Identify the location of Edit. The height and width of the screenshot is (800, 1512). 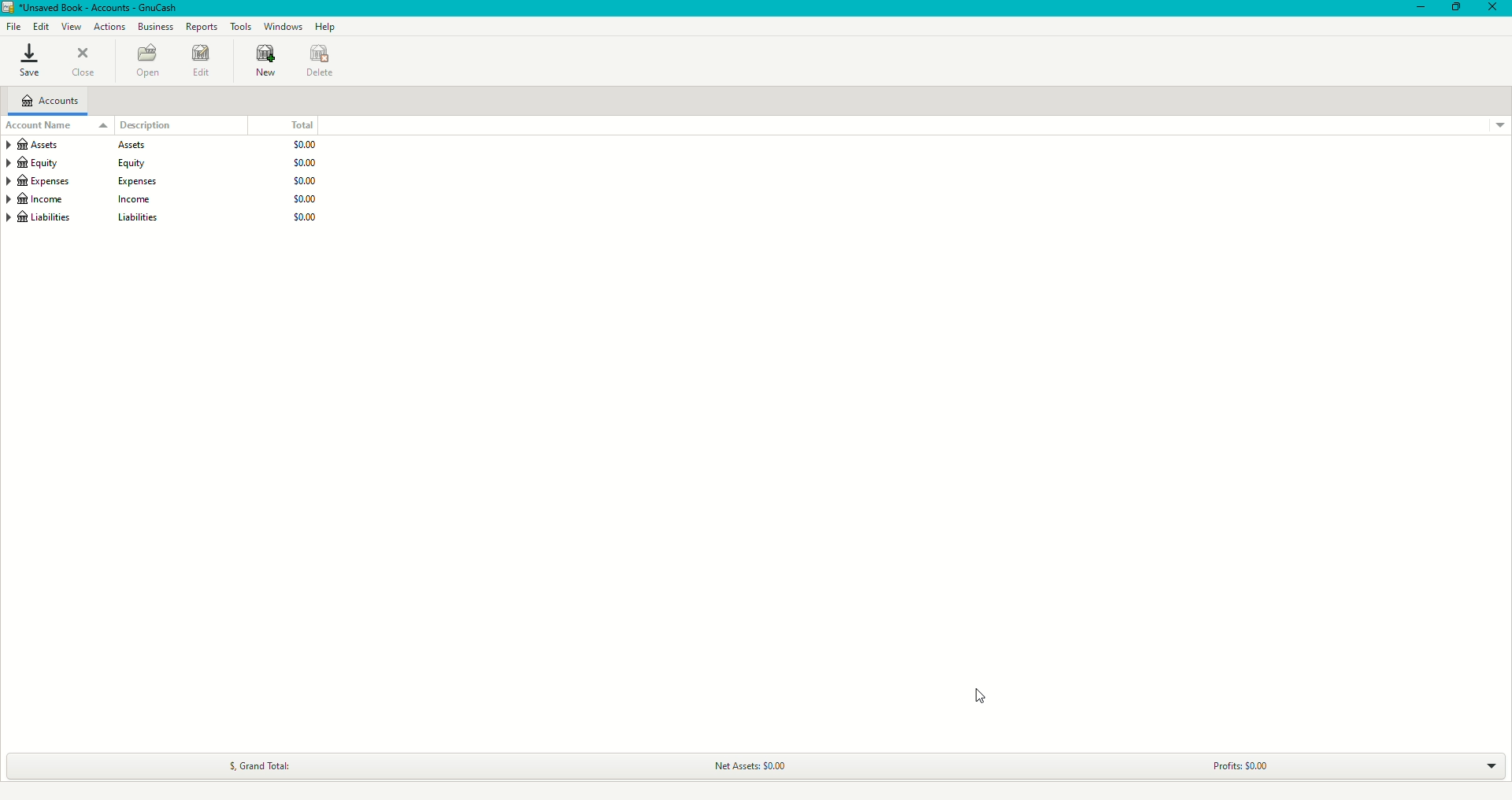
(202, 63).